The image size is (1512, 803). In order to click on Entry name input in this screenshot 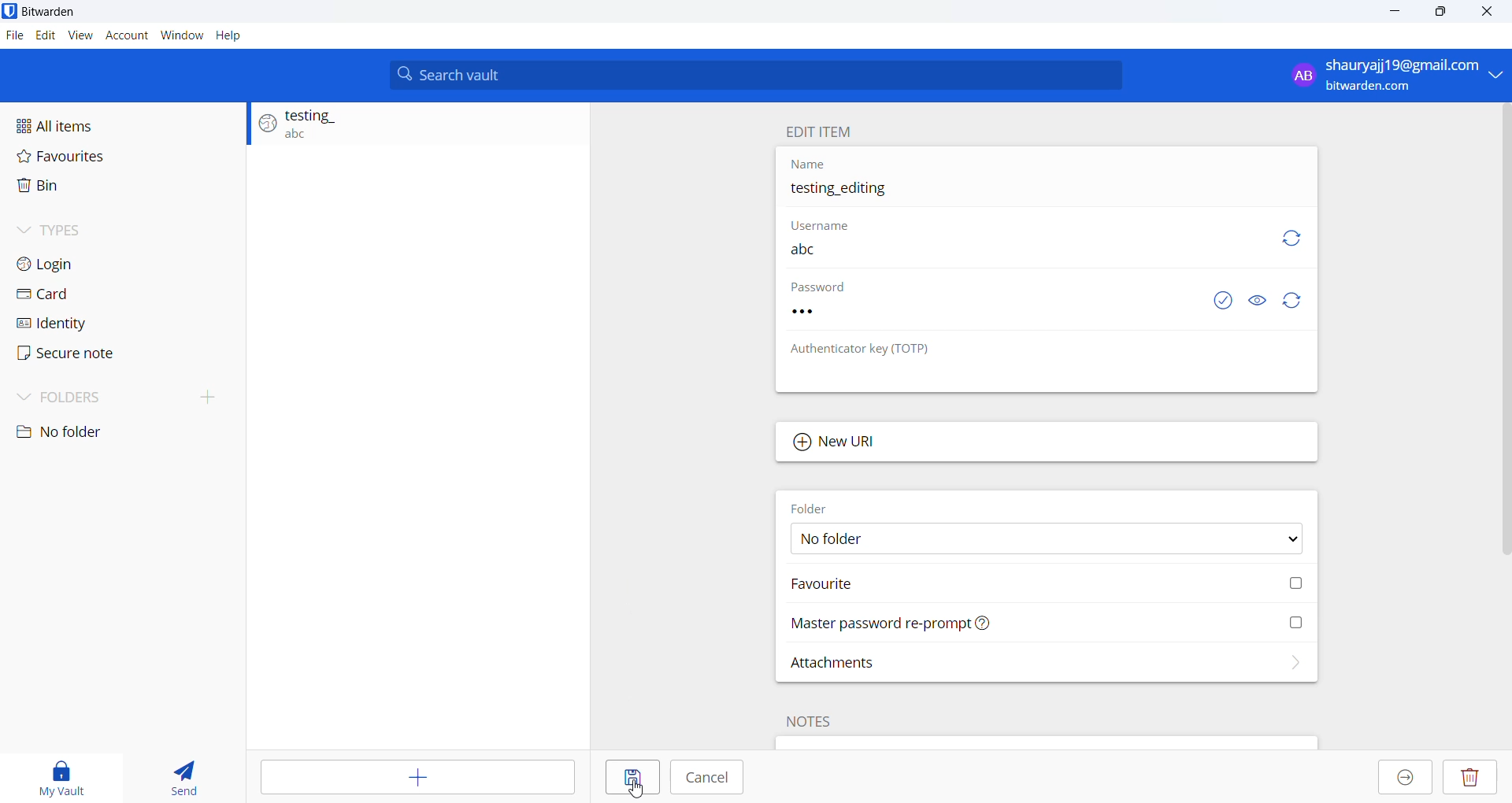, I will do `click(1038, 191)`.